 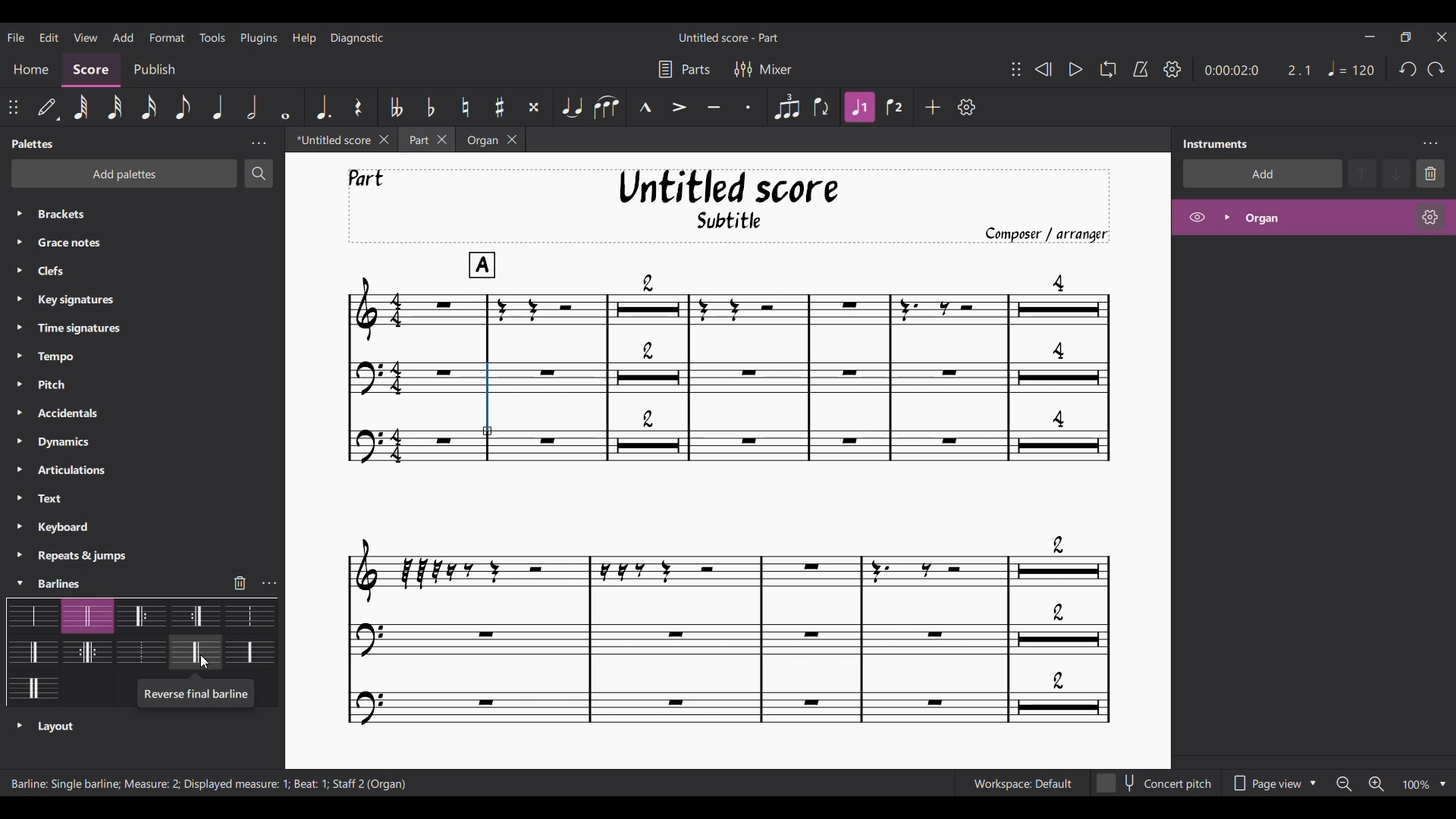 What do you see at coordinates (1352, 68) in the screenshot?
I see `Quarter note` at bounding box center [1352, 68].